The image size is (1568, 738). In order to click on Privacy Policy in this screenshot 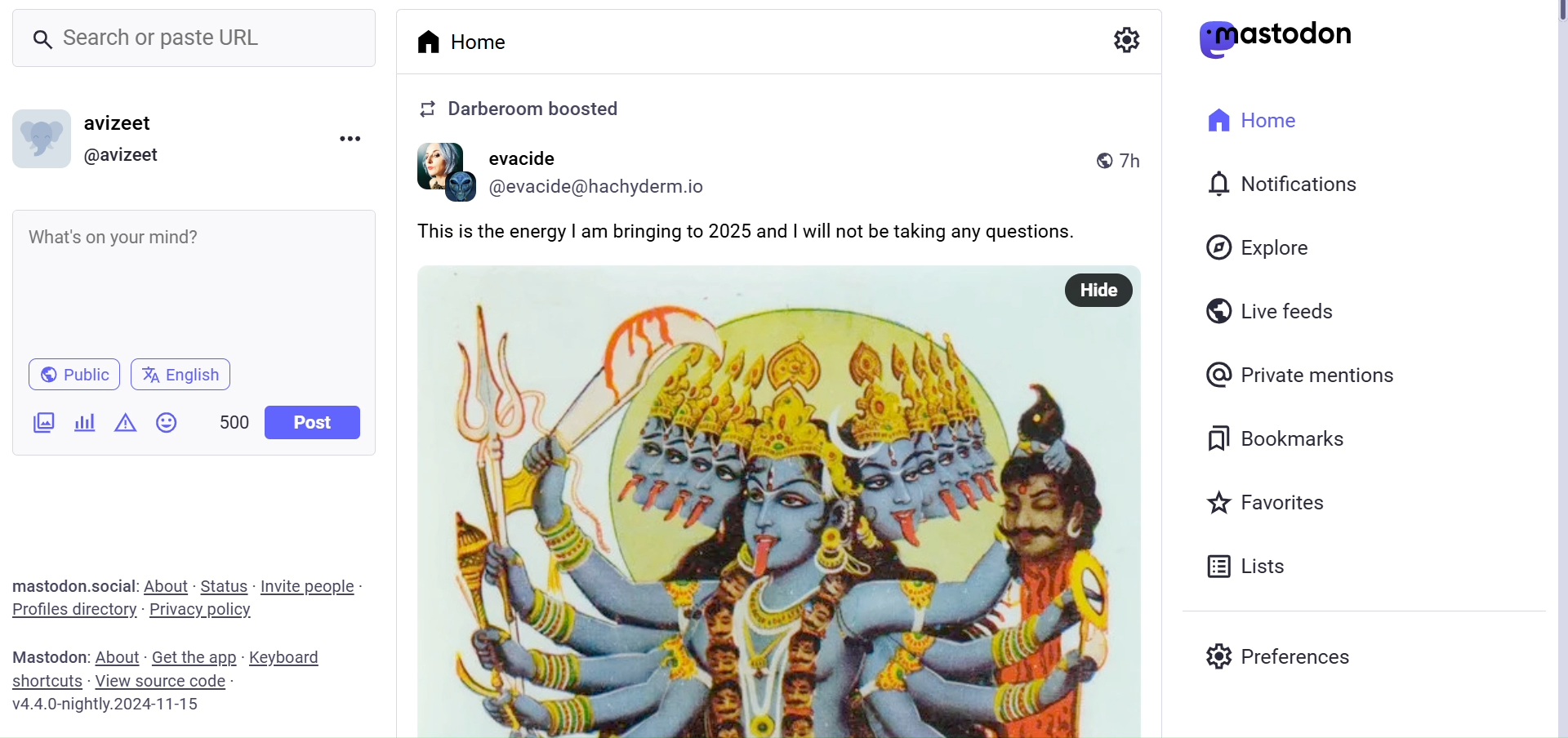, I will do `click(205, 608)`.